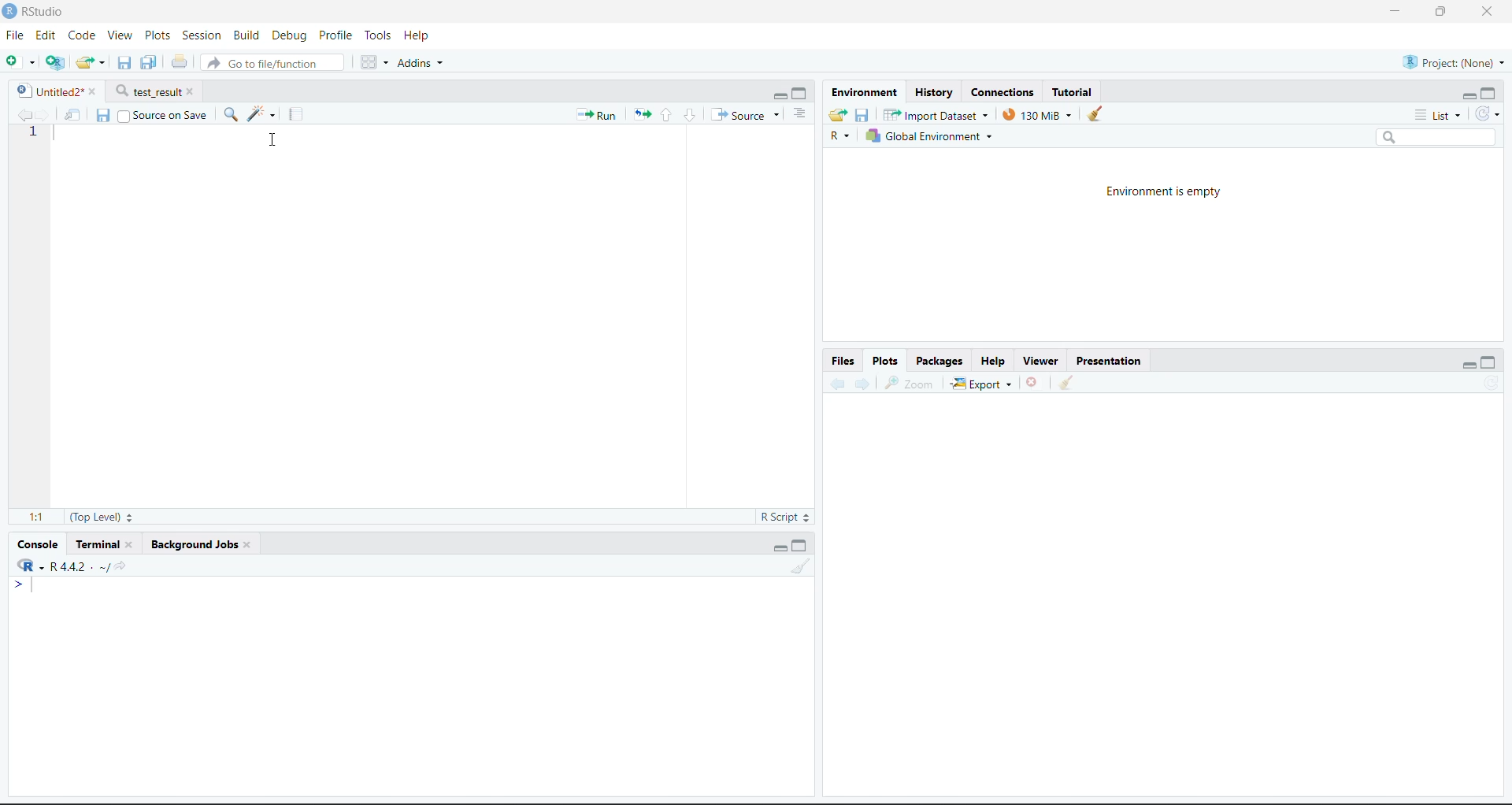 This screenshot has width=1512, height=805. I want to click on Console, so click(39, 545).